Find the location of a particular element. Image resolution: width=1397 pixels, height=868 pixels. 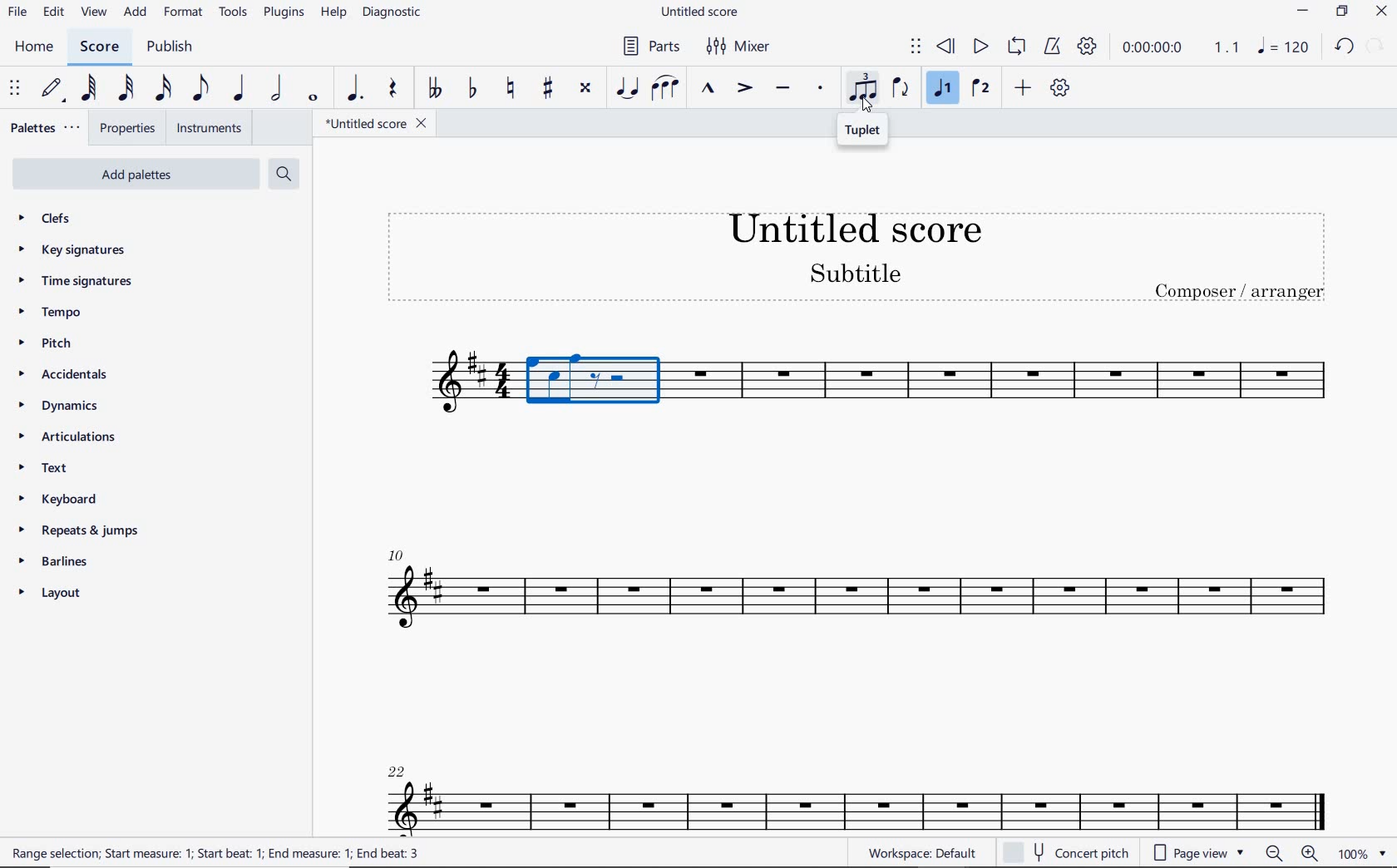

Tuplet is located at coordinates (864, 90).